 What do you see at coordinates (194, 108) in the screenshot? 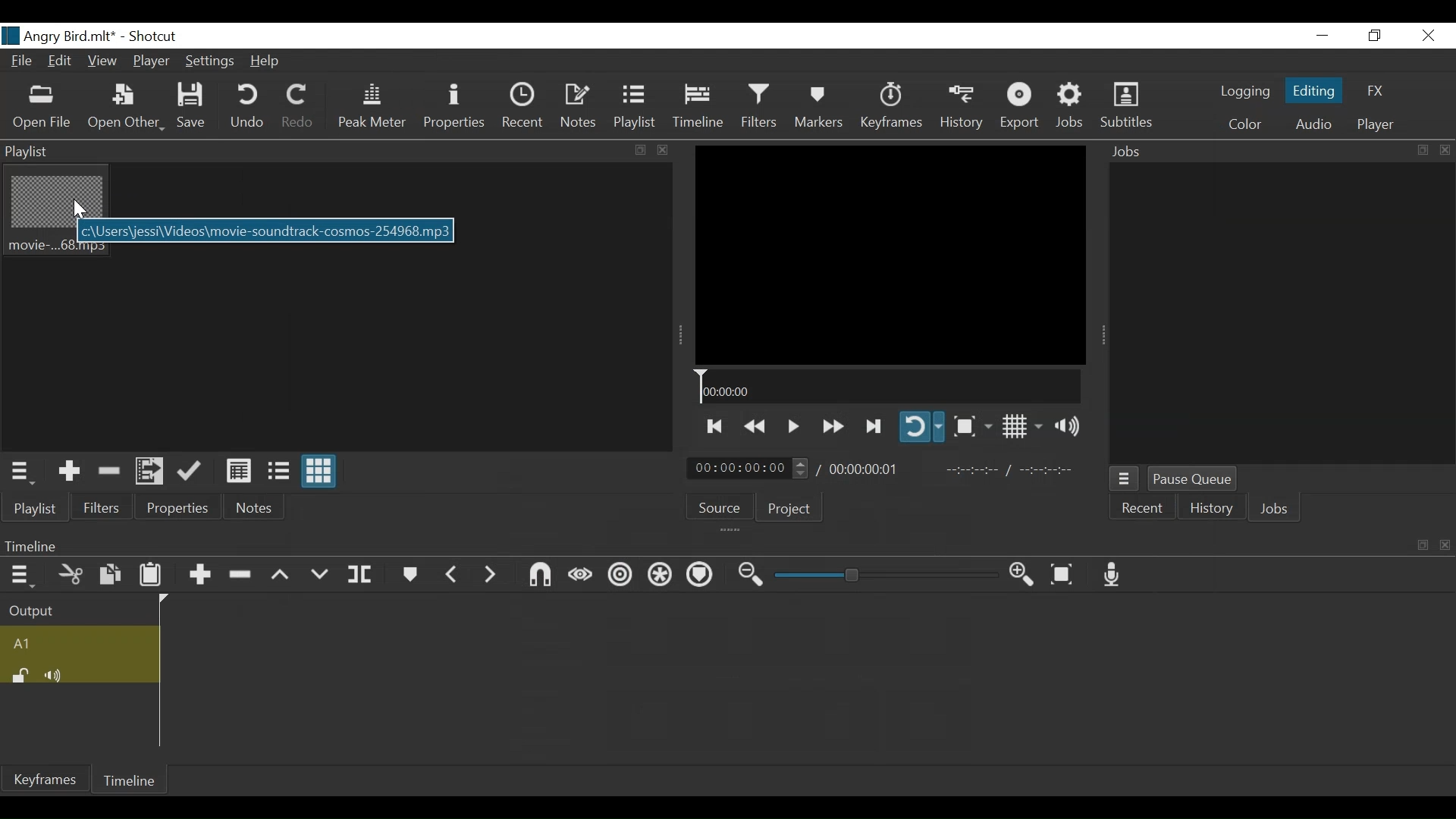
I see `Save` at bounding box center [194, 108].